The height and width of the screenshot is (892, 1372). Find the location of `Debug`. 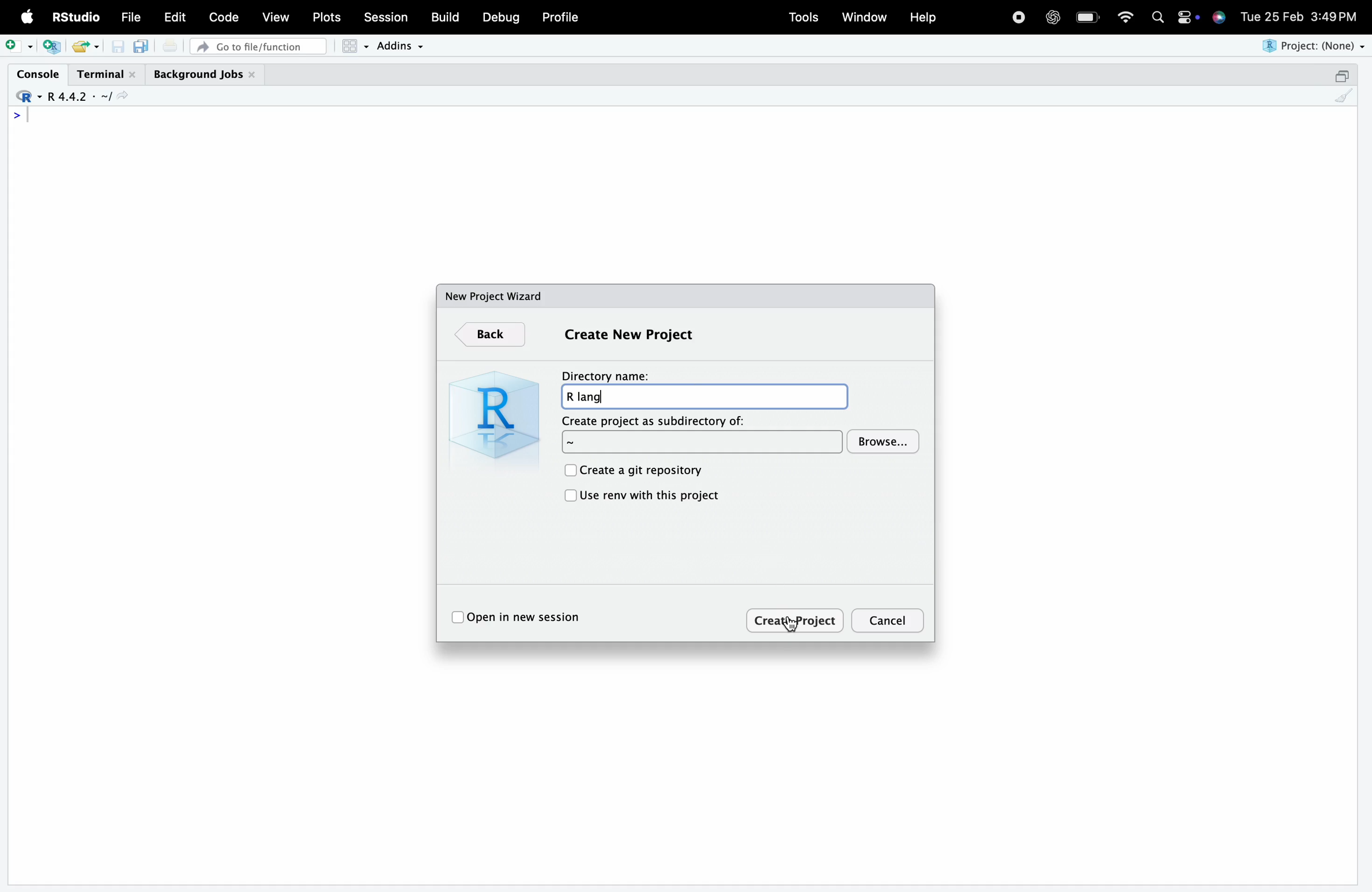

Debug is located at coordinates (502, 17).